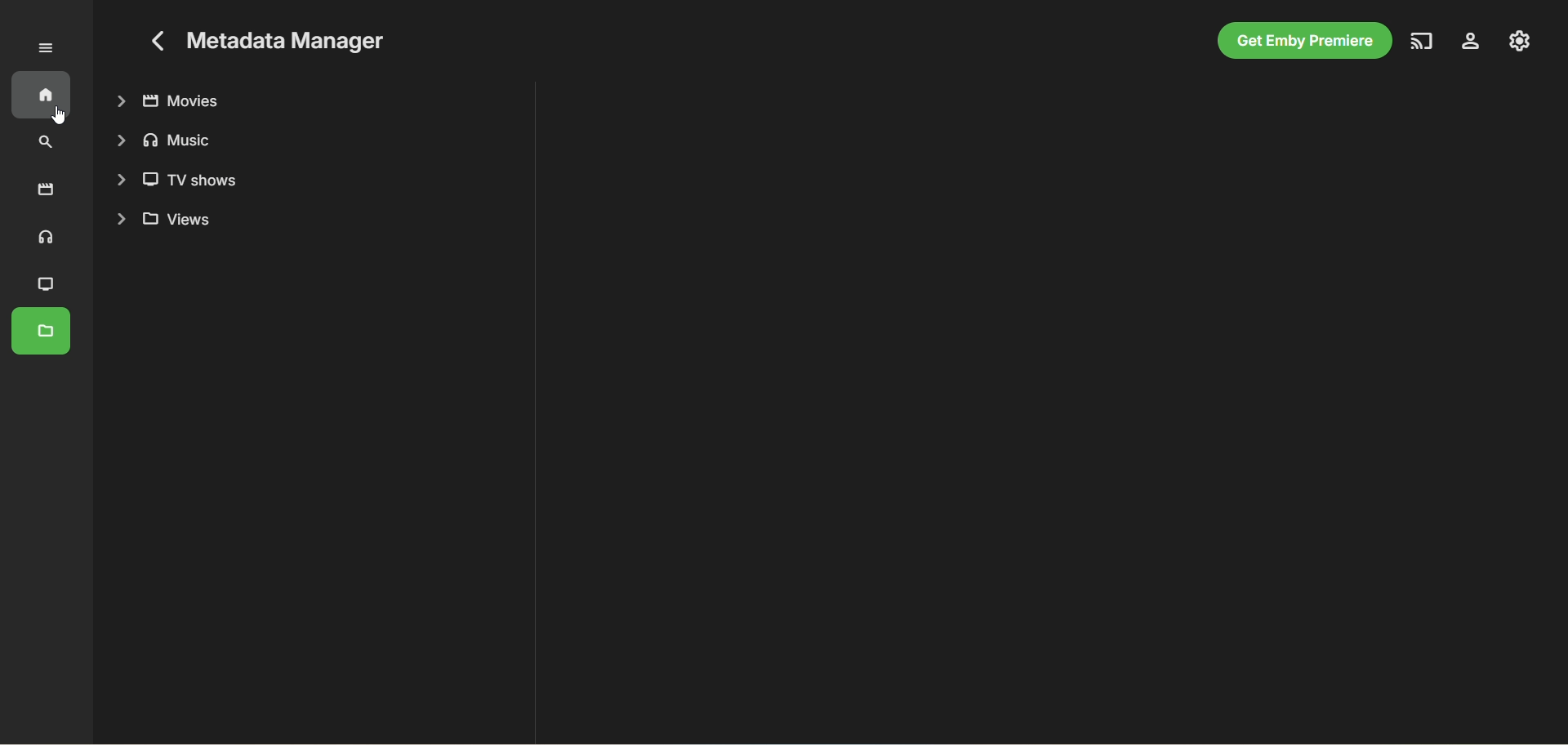  I want to click on cursor, so click(62, 115).